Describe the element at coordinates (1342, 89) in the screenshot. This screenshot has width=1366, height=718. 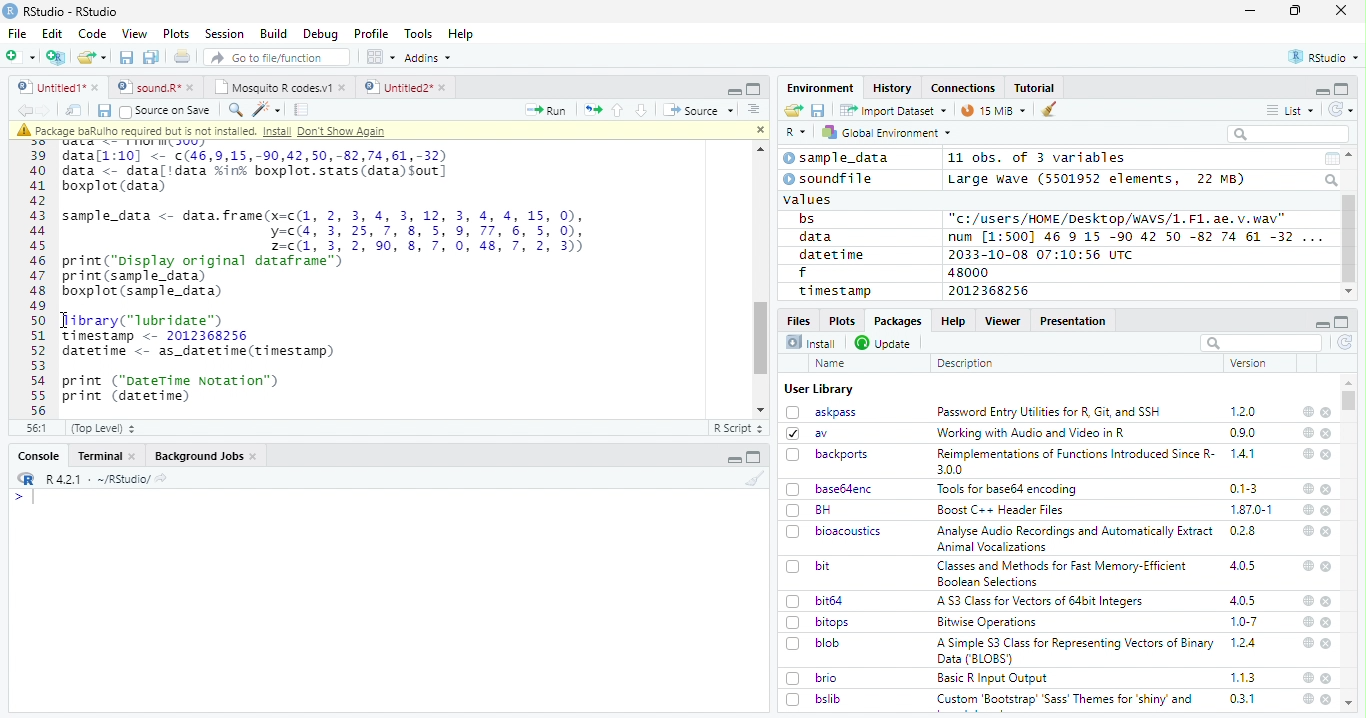
I see `full screen` at that location.